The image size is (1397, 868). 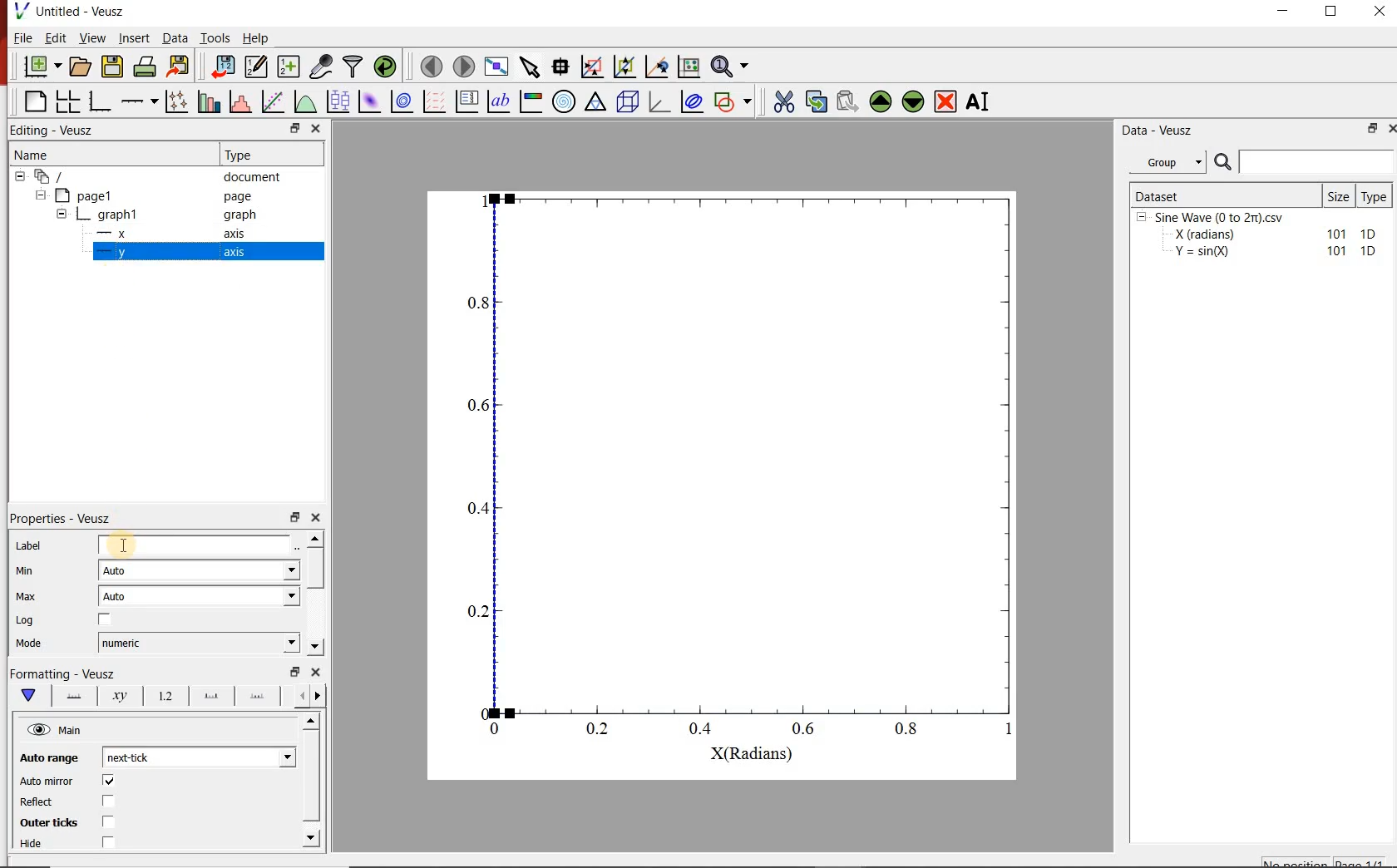 What do you see at coordinates (29, 644) in the screenshot?
I see `Mode` at bounding box center [29, 644].